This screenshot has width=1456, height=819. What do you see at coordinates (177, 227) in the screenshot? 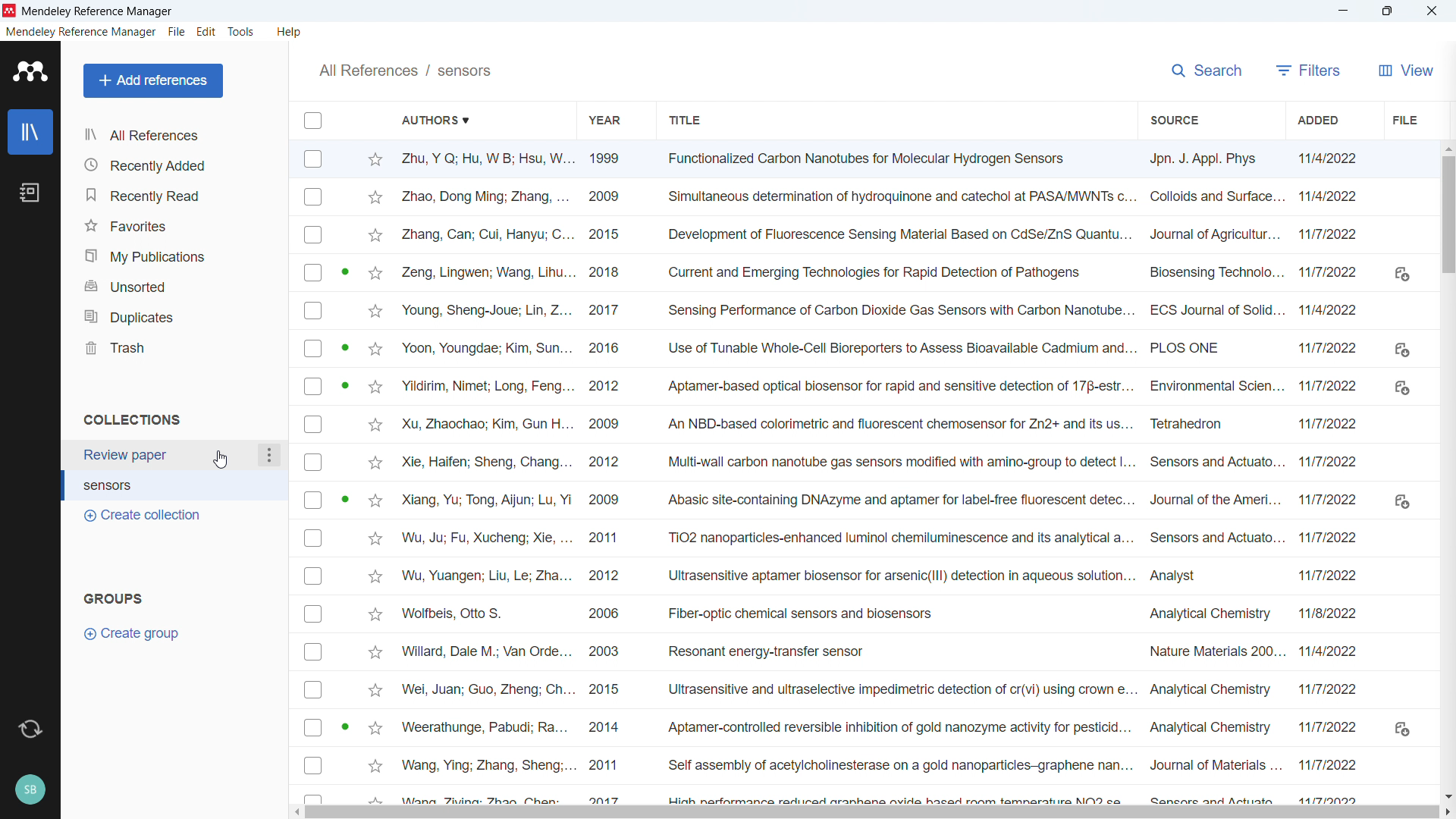
I see `Favourites ` at bounding box center [177, 227].